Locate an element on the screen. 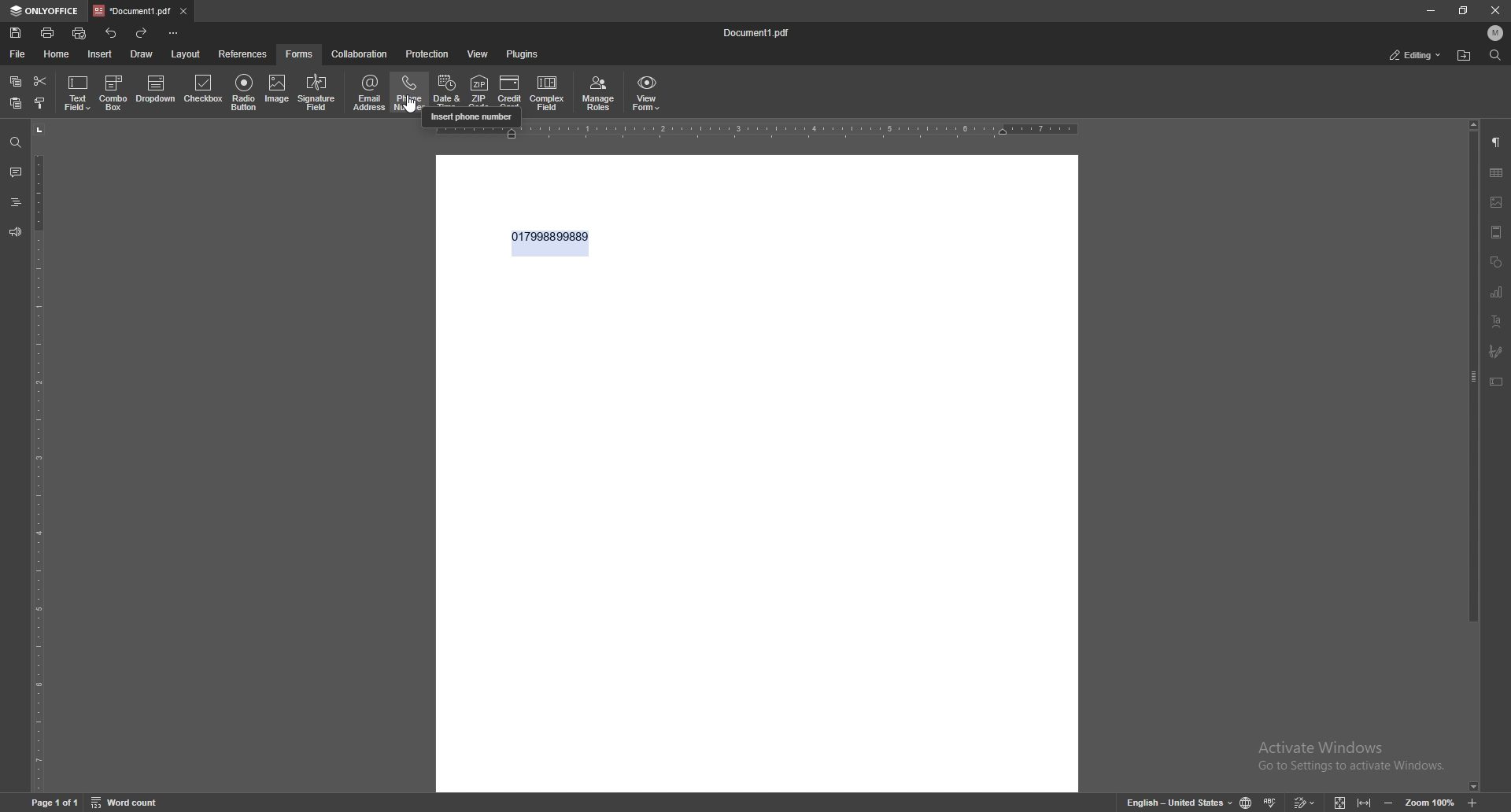 The height and width of the screenshot is (812, 1511). collaboration is located at coordinates (360, 54).